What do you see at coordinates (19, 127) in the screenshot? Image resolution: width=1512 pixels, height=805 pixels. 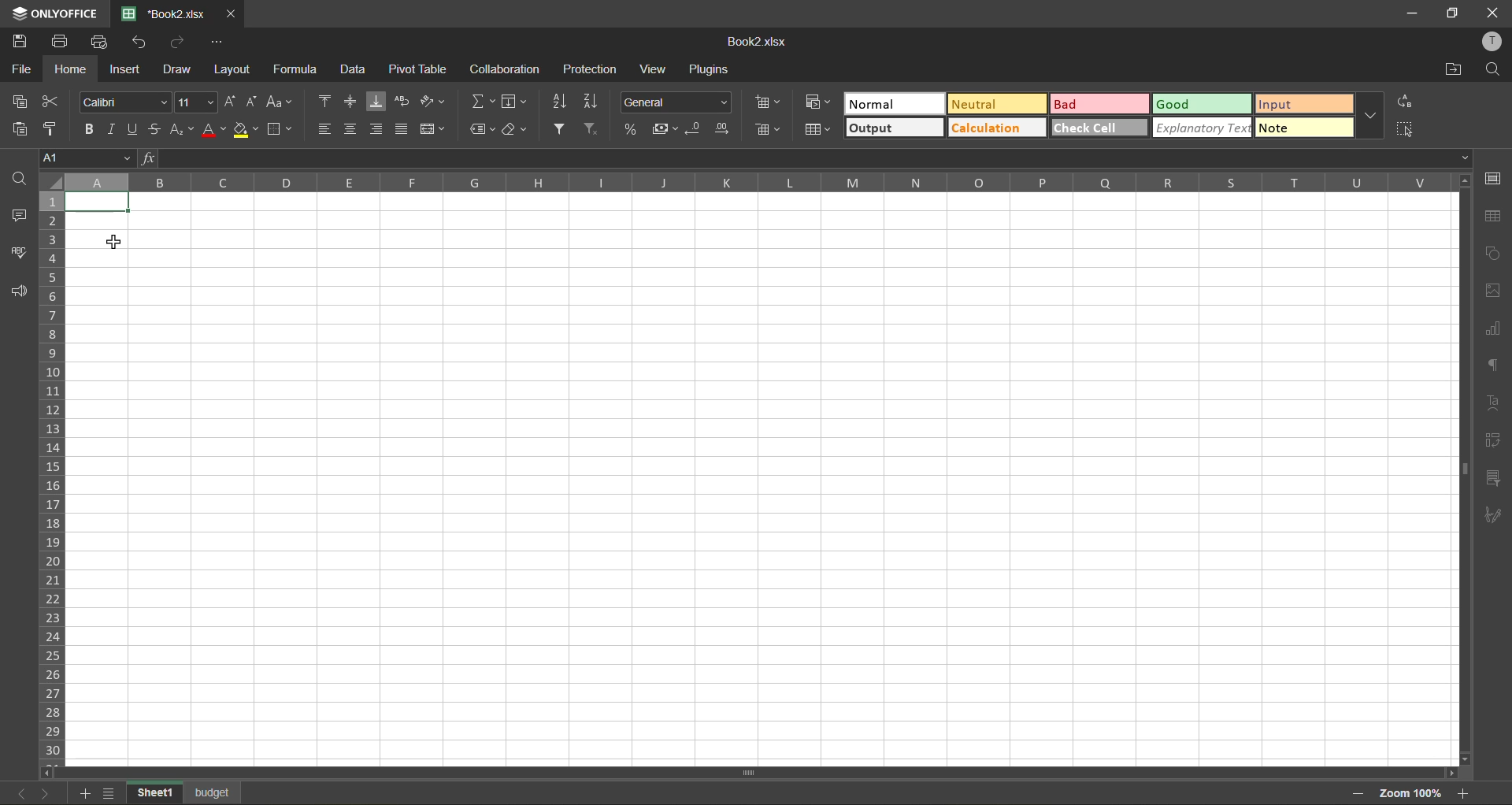 I see `paste` at bounding box center [19, 127].